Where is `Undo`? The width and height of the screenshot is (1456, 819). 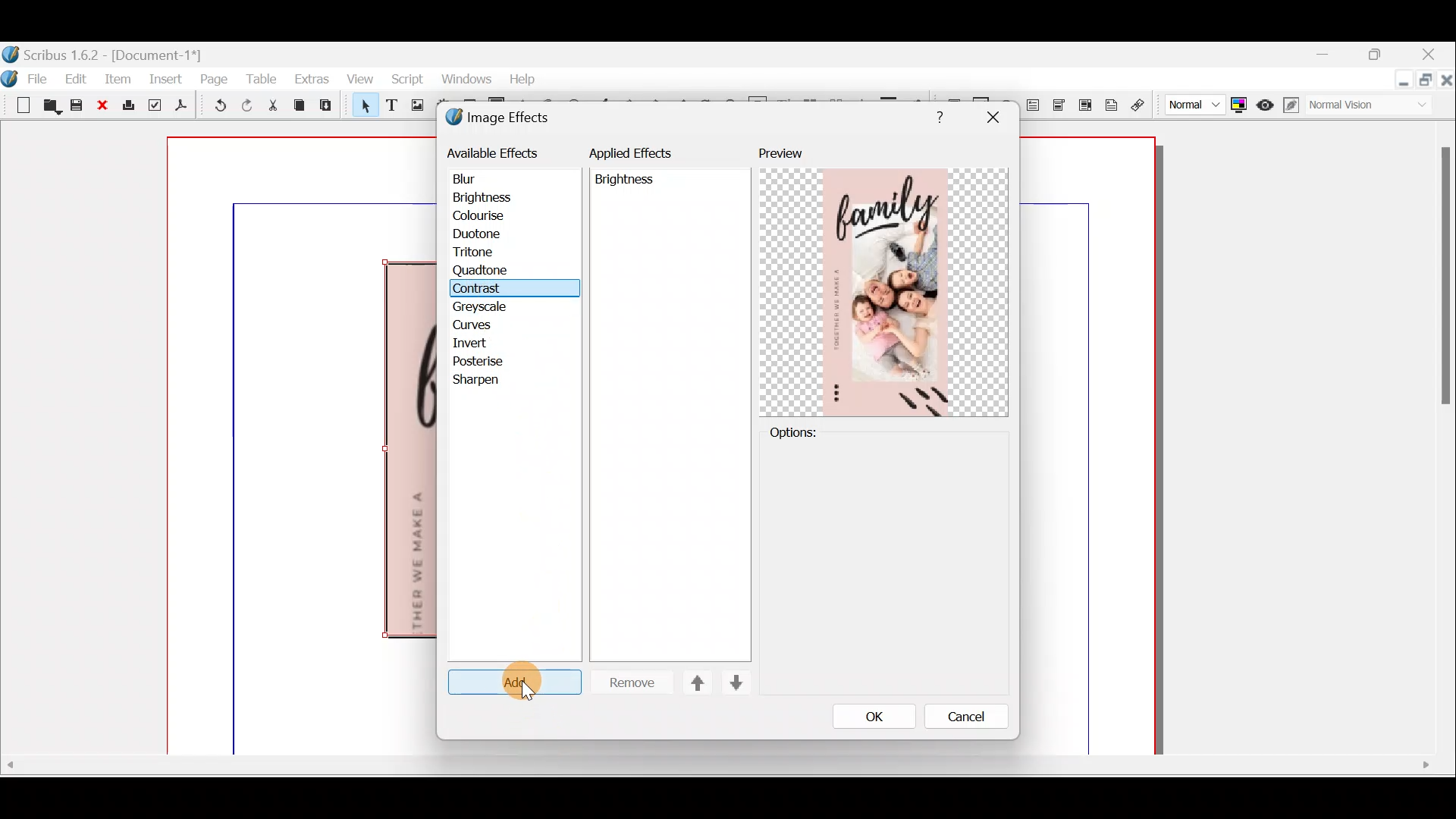
Undo is located at coordinates (215, 108).